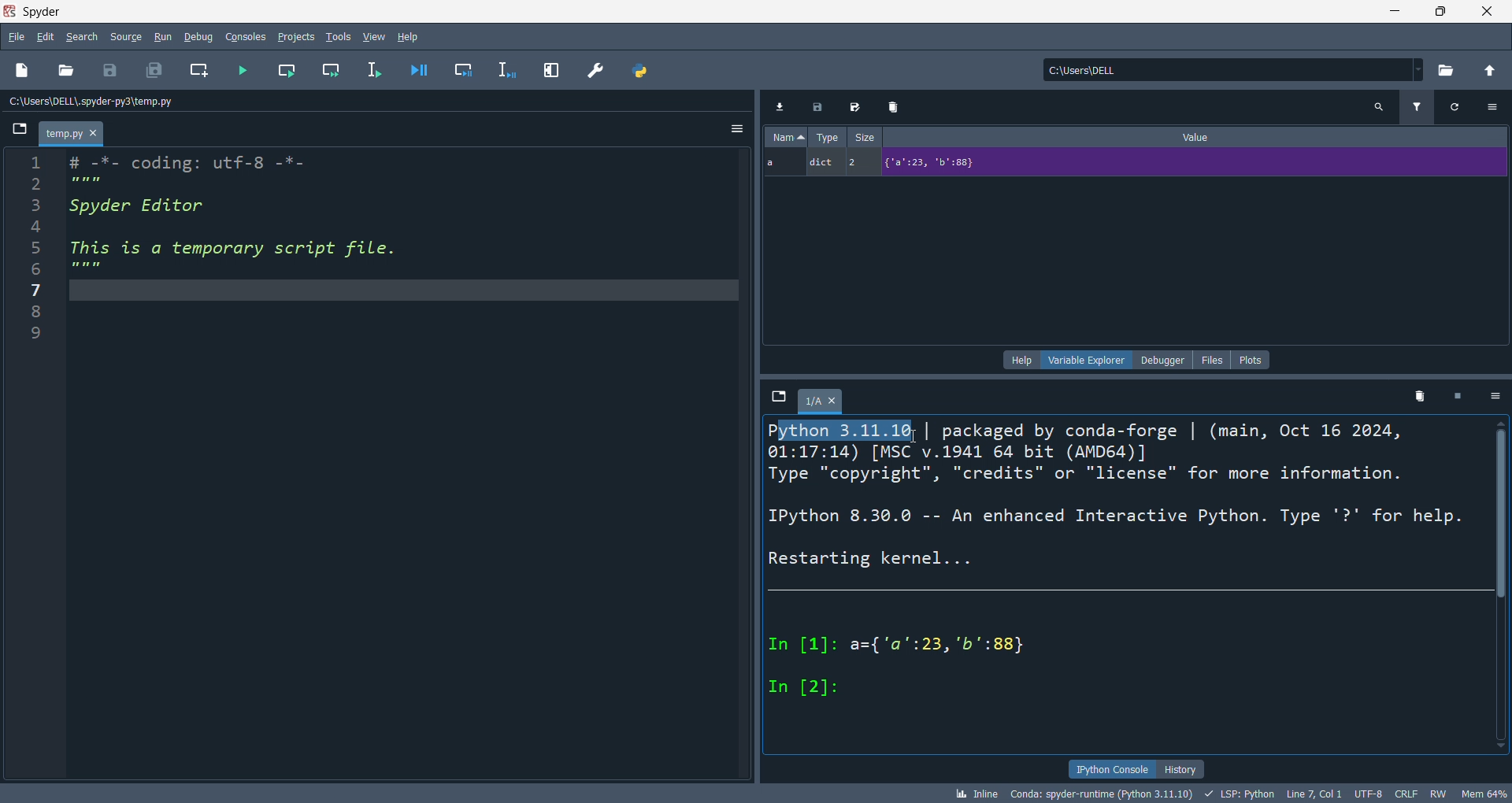 The image size is (1512, 803). Describe the element at coordinates (1313, 794) in the screenshot. I see `LINE 7, COL 1` at that location.